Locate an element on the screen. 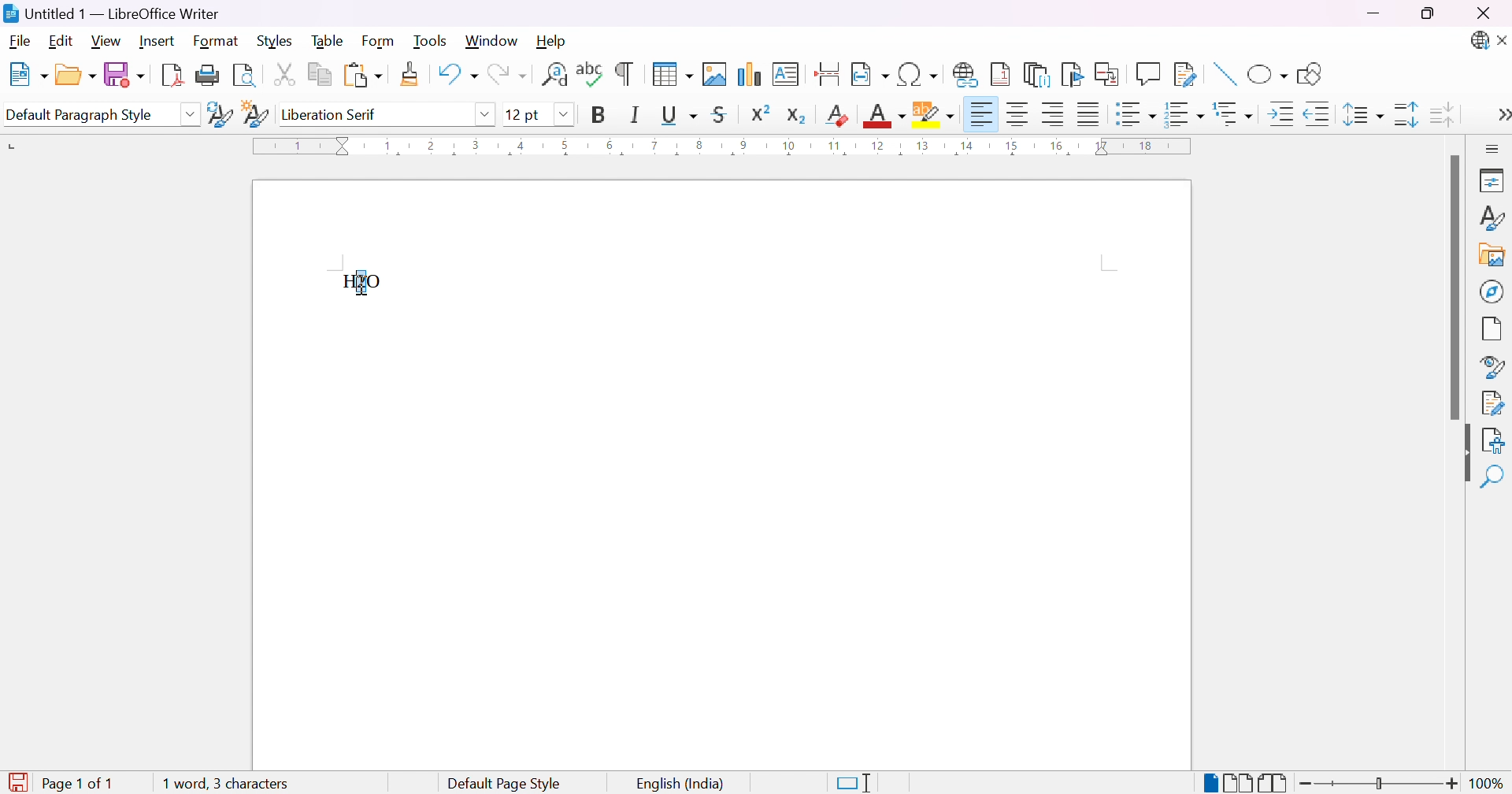 The width and height of the screenshot is (1512, 794). Open is located at coordinates (75, 73).